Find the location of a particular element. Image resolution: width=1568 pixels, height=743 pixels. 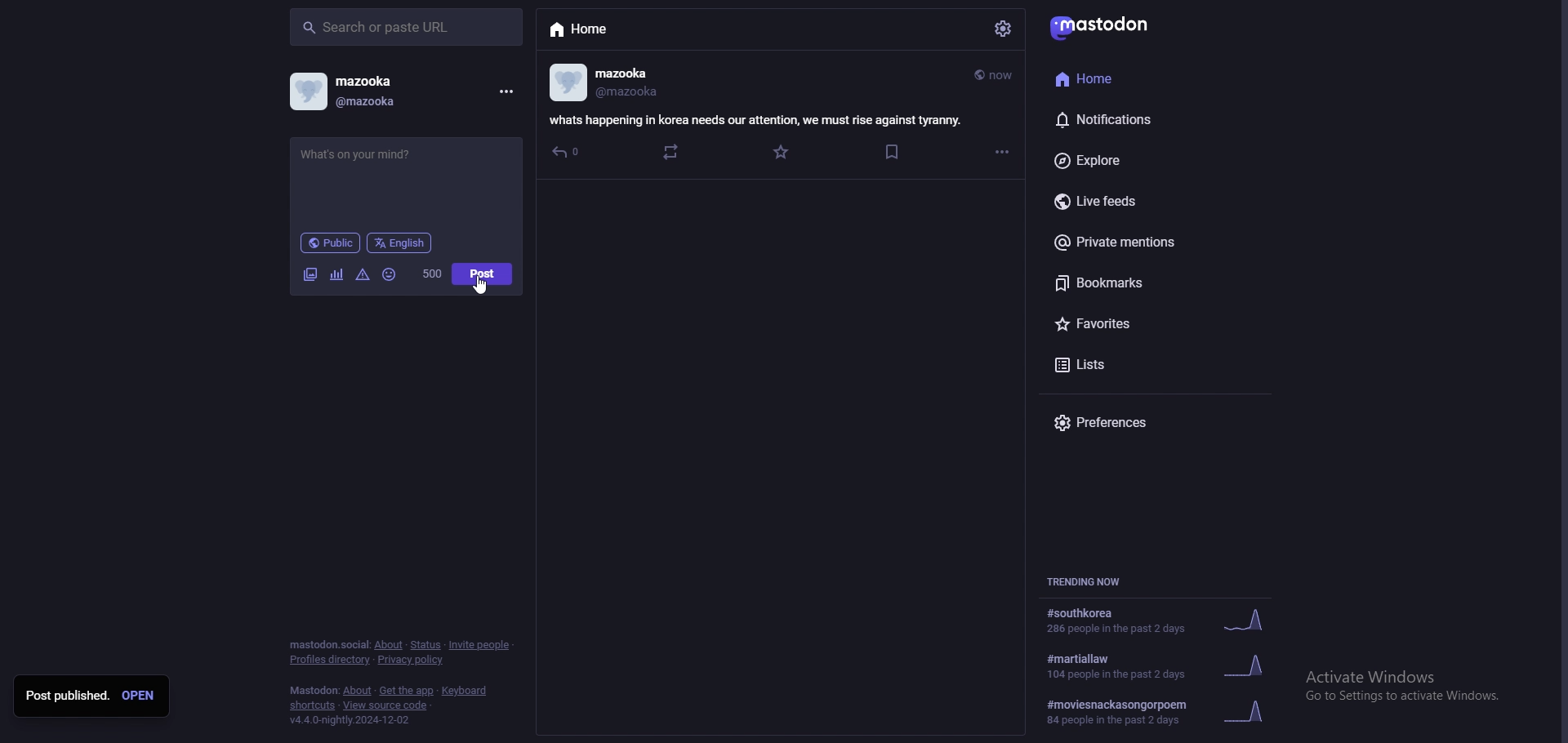

trend is located at coordinates (1164, 714).